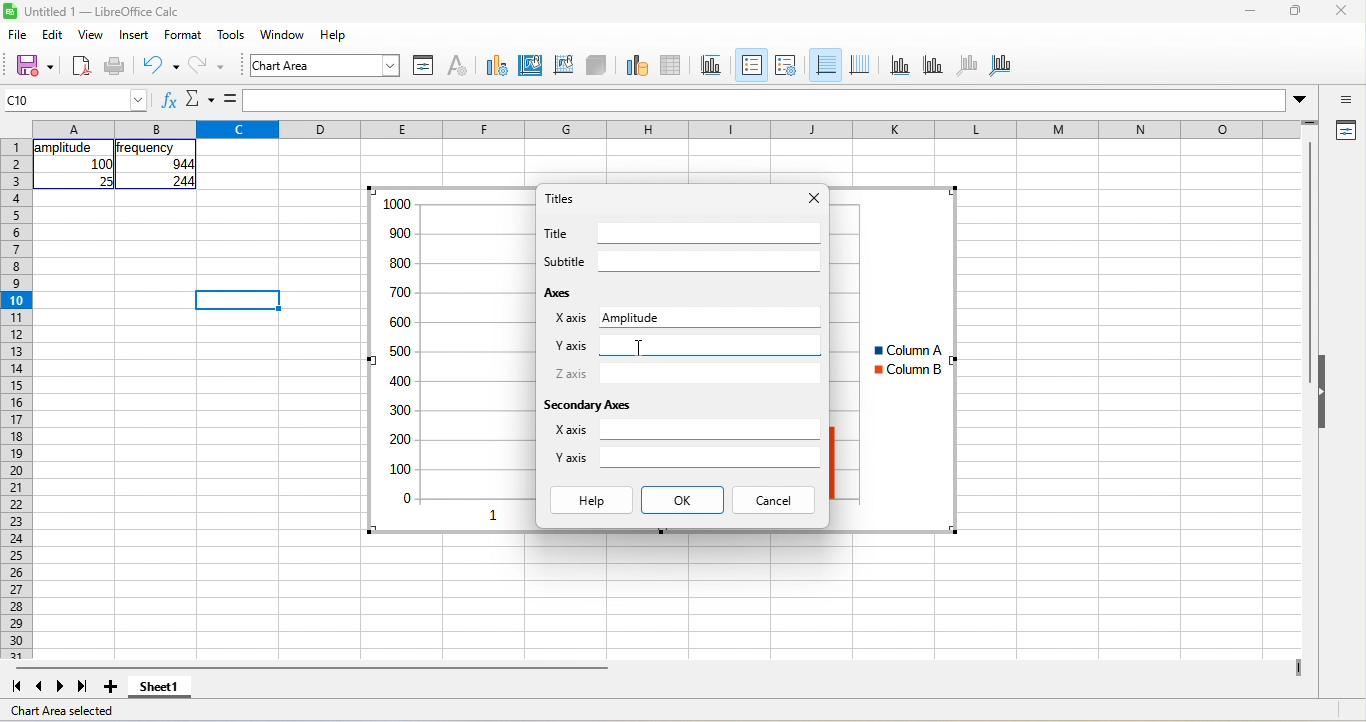 The width and height of the screenshot is (1366, 722). Describe the element at coordinates (894, 359) in the screenshot. I see `Column chart` at that location.